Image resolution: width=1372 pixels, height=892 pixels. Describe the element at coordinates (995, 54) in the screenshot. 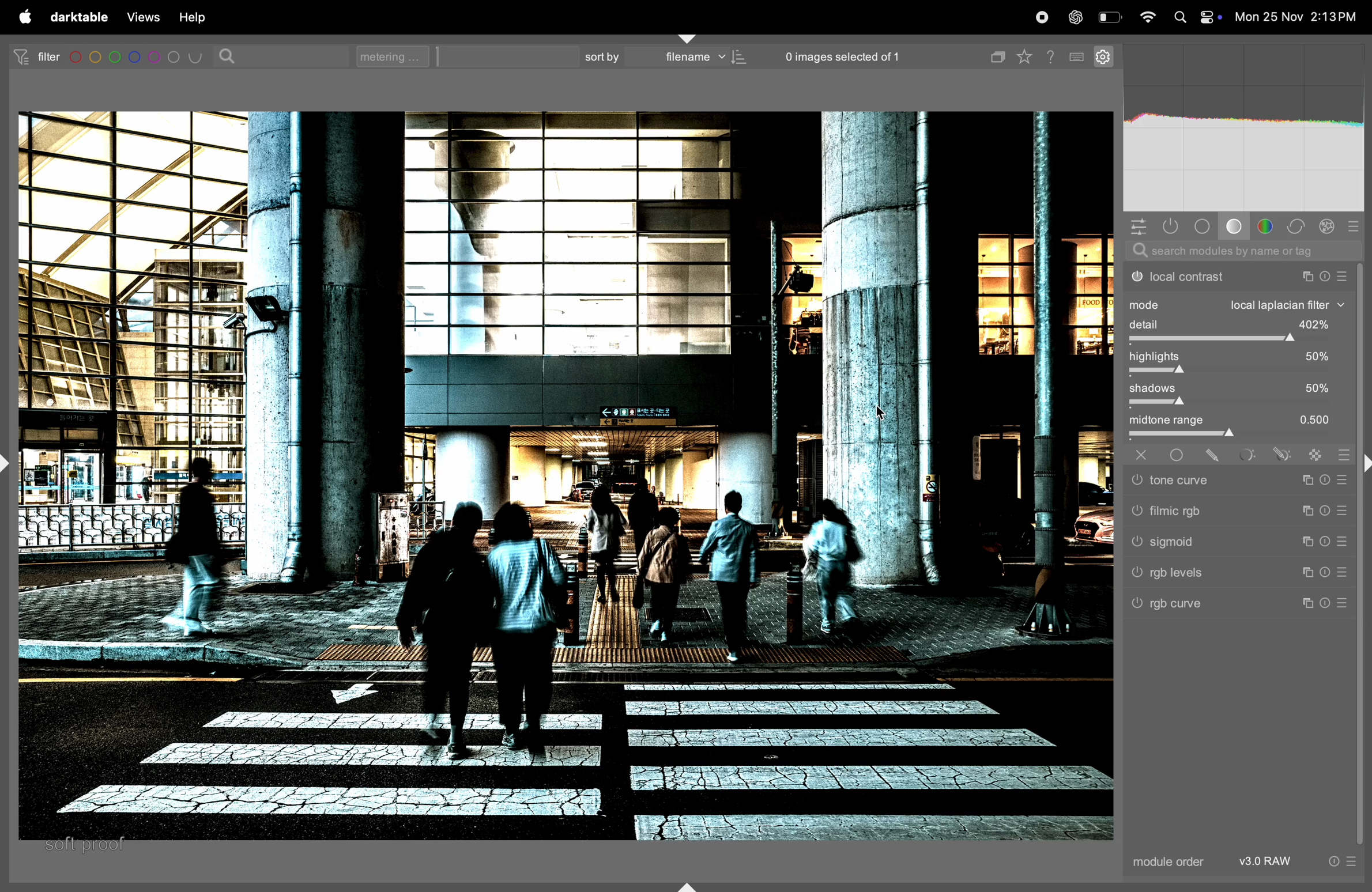

I see `copy` at that location.